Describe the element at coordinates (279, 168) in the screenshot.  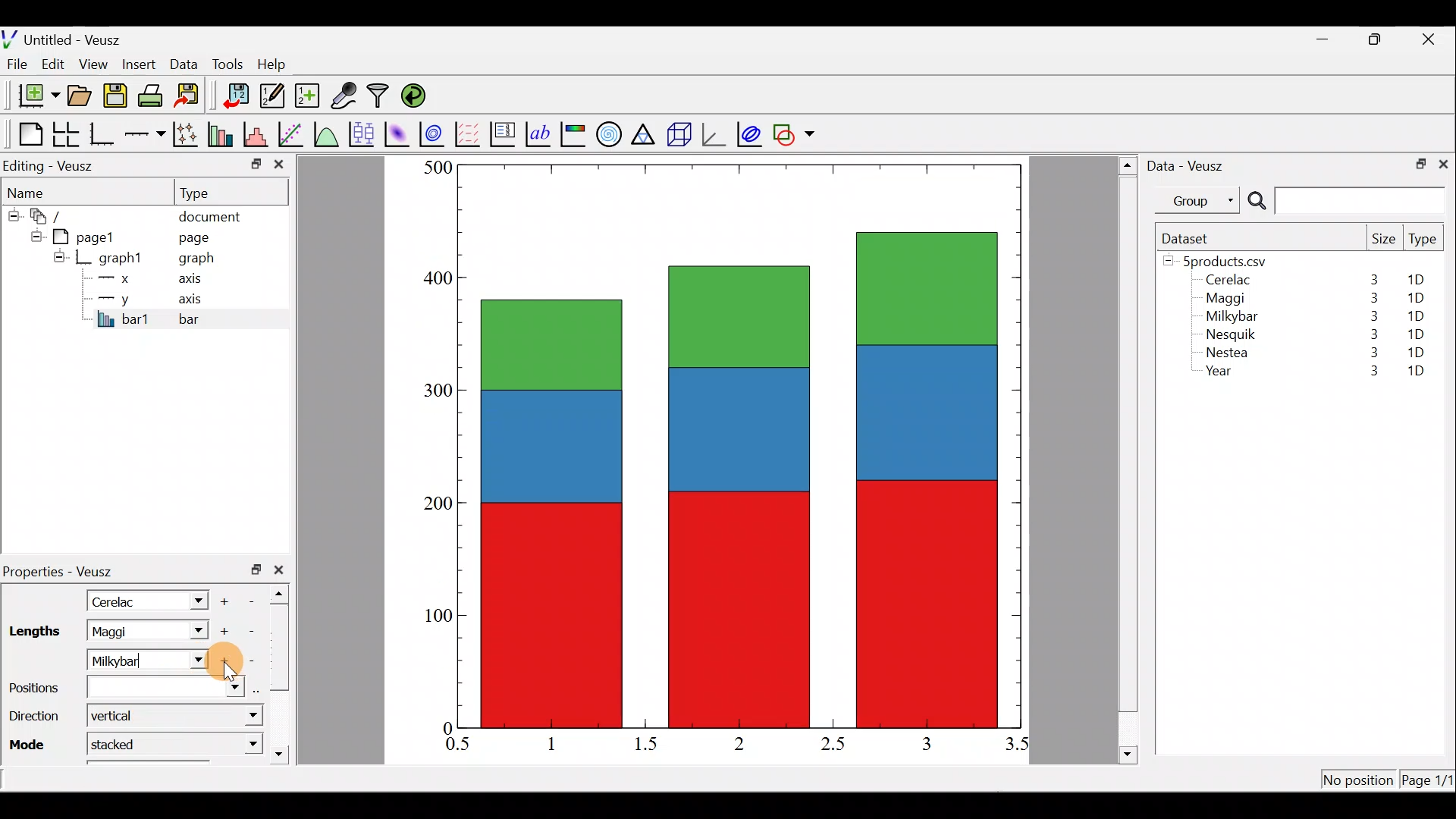
I see `close` at that location.